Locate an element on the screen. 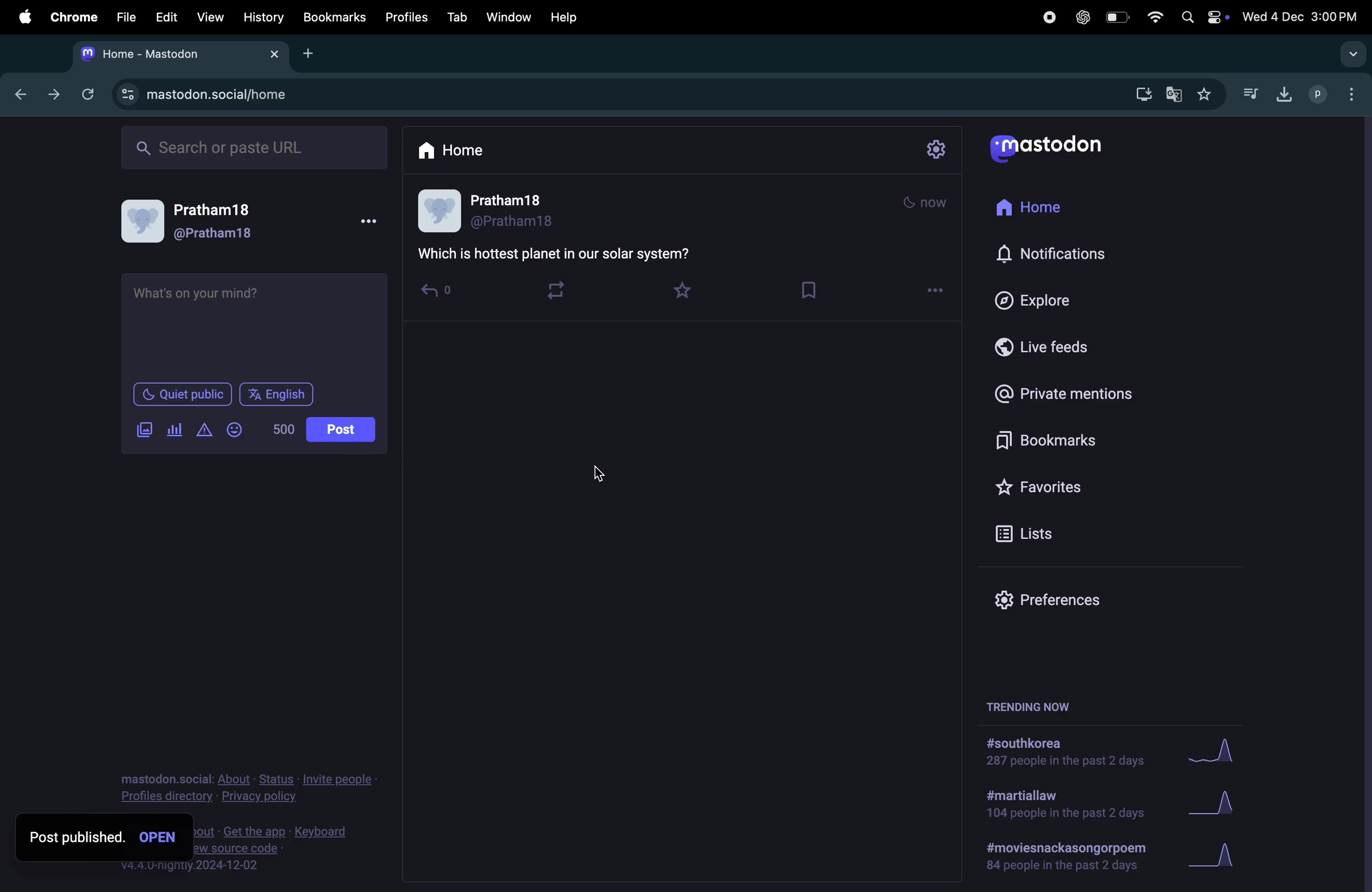  edit is located at coordinates (165, 18).